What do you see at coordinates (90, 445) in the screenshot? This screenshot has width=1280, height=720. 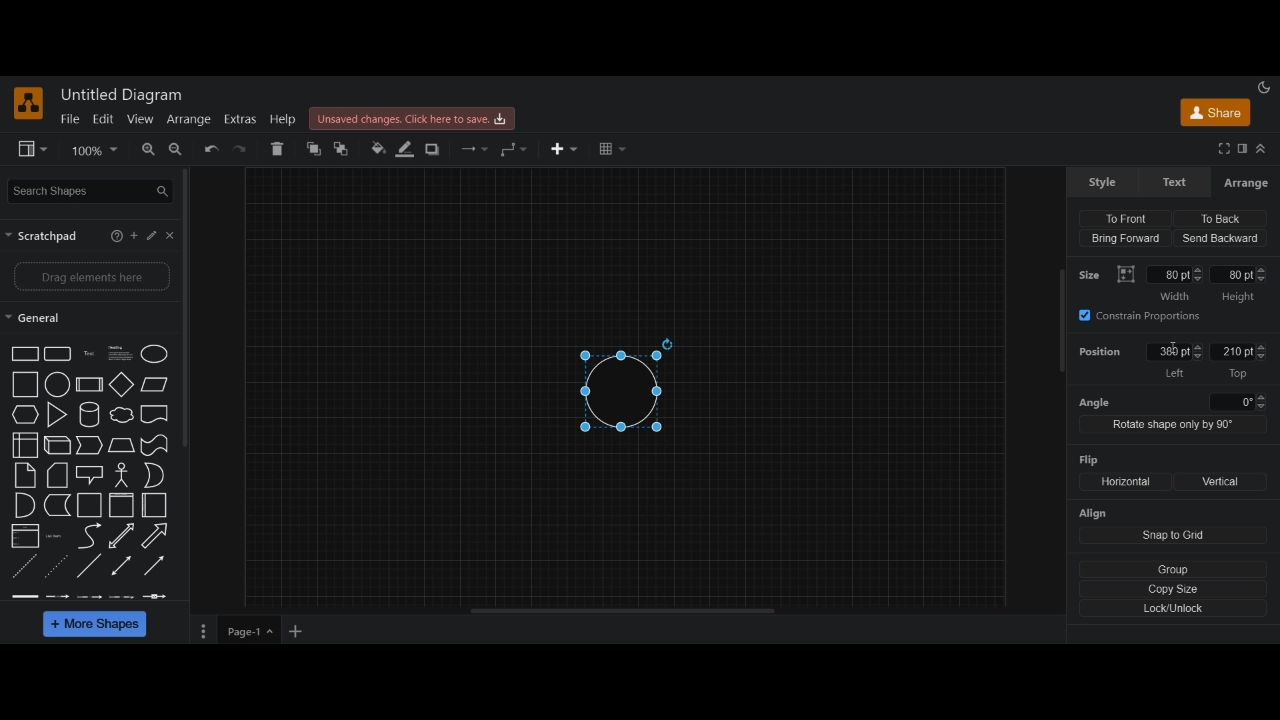 I see `arrow` at bounding box center [90, 445].